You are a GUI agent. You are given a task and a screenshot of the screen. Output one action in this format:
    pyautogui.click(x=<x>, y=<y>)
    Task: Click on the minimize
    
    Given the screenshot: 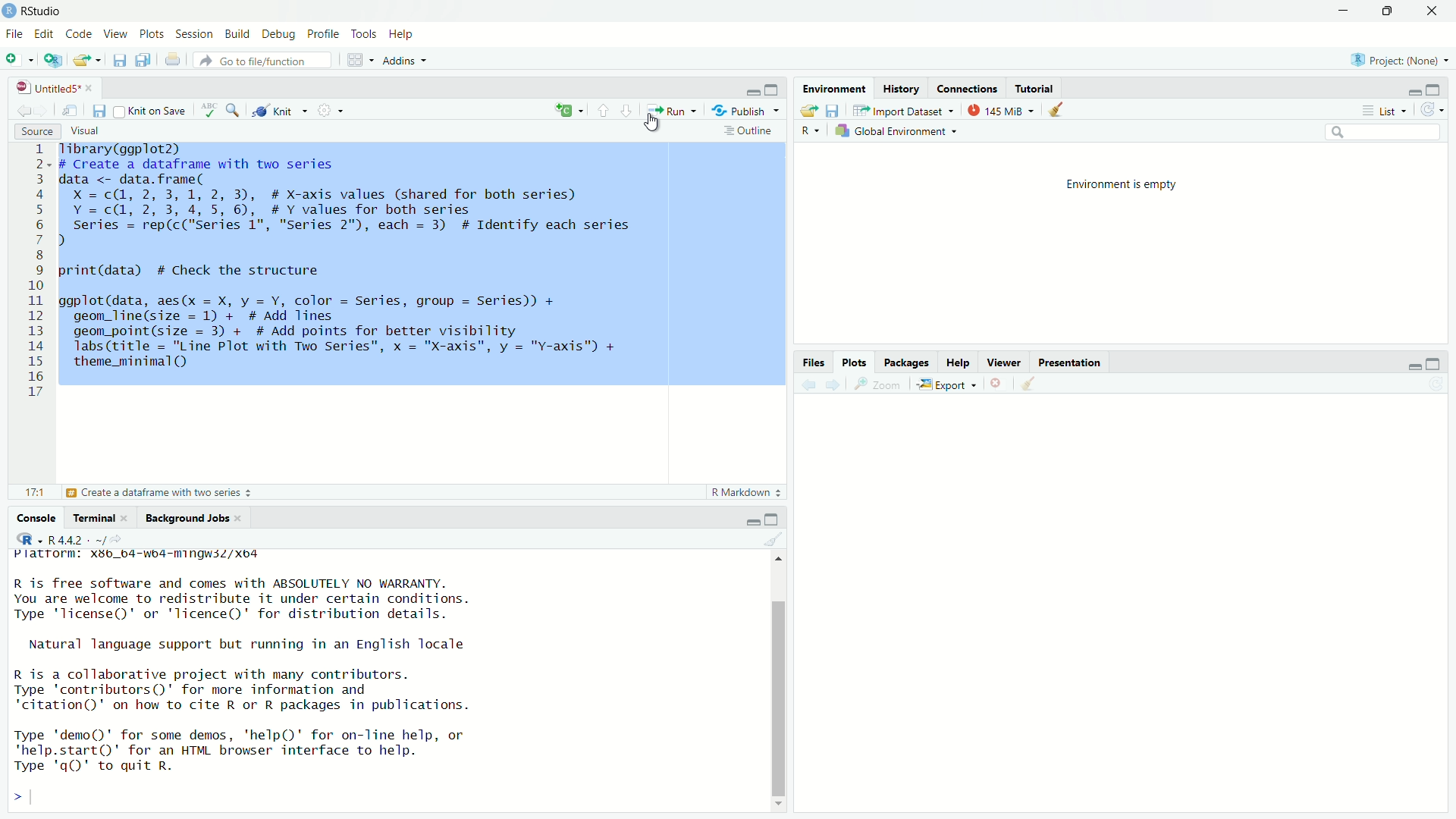 What is the action you would take?
    pyautogui.click(x=1342, y=11)
    